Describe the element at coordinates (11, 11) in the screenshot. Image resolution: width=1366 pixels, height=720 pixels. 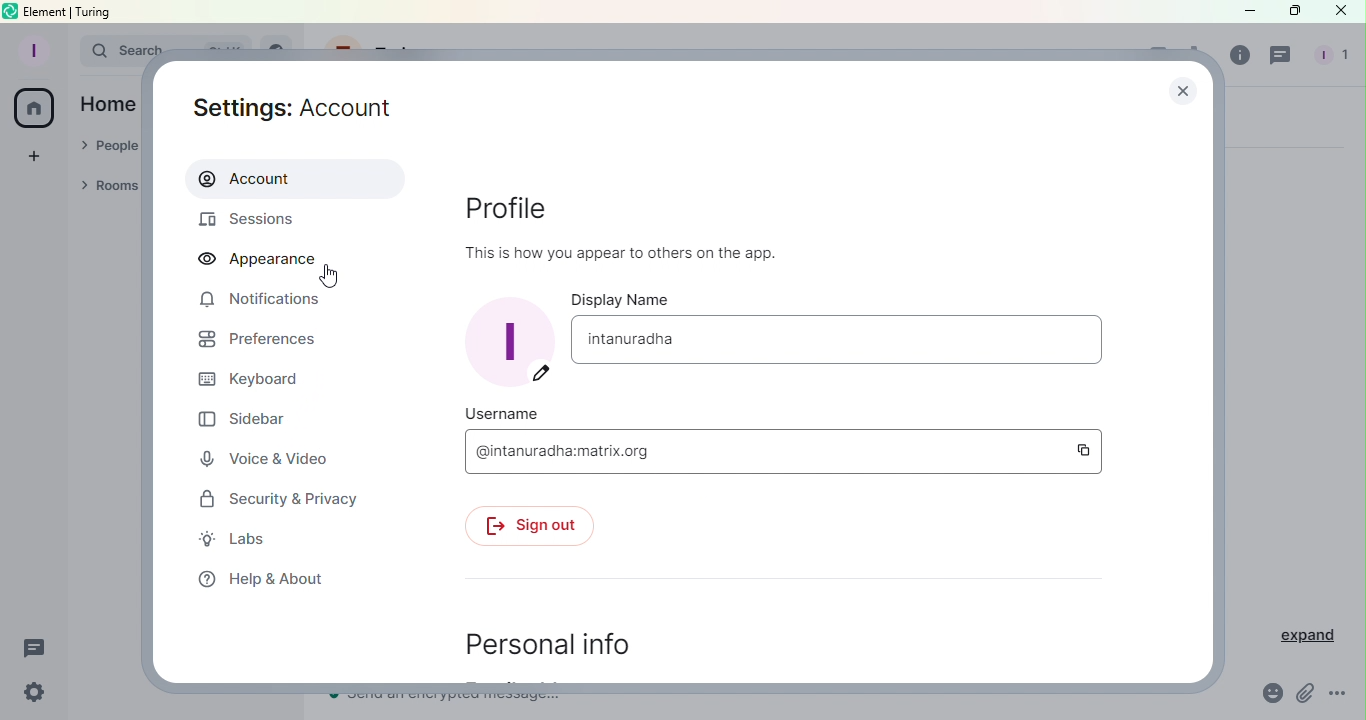
I see `Element icon` at that location.